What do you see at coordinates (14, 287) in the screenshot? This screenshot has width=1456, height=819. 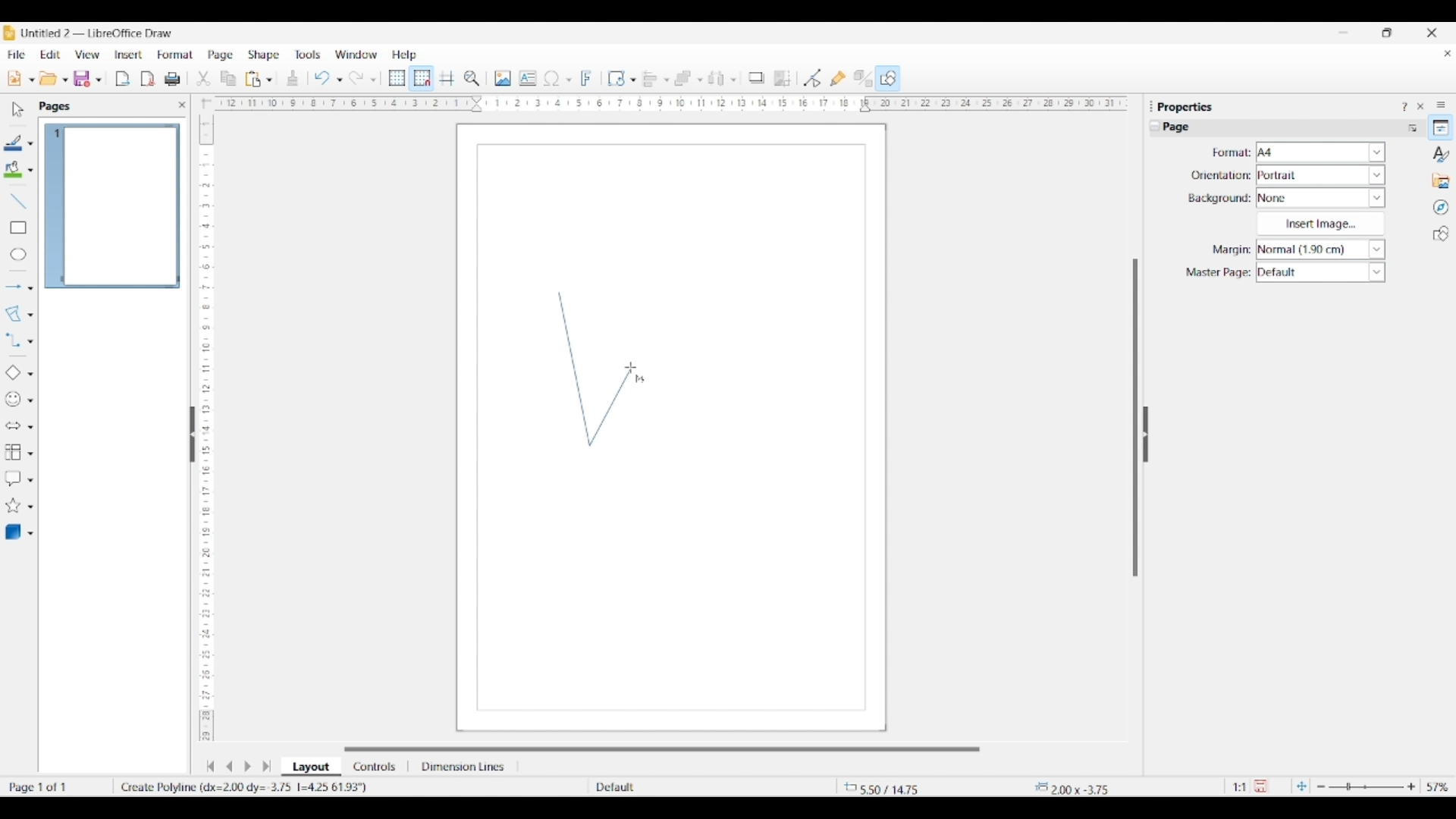 I see `Selected arrow` at bounding box center [14, 287].